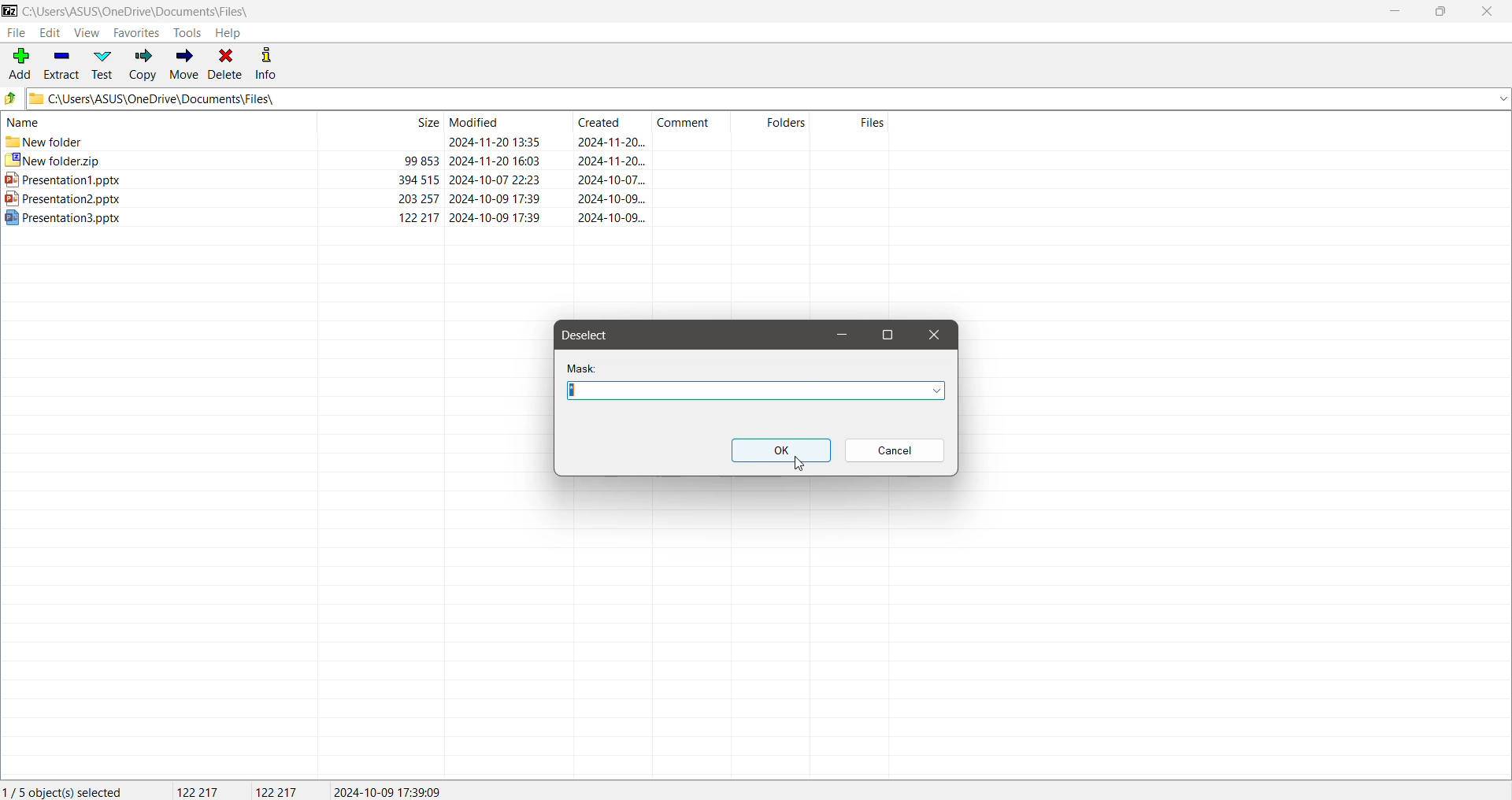 The image size is (1512, 800). What do you see at coordinates (1486, 13) in the screenshot?
I see `Close` at bounding box center [1486, 13].